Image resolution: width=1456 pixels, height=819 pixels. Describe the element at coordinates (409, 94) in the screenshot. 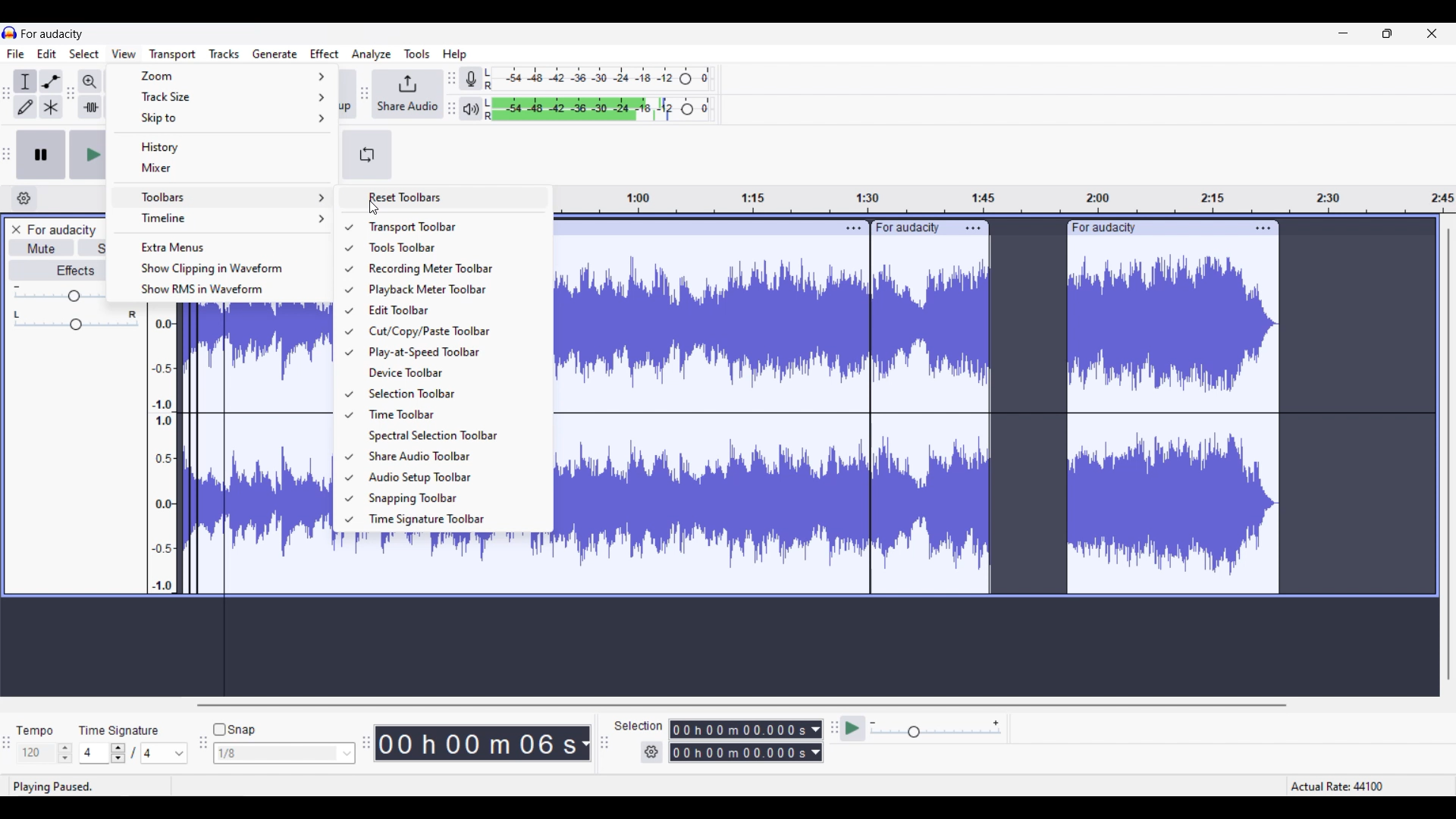

I see `Share audio` at that location.